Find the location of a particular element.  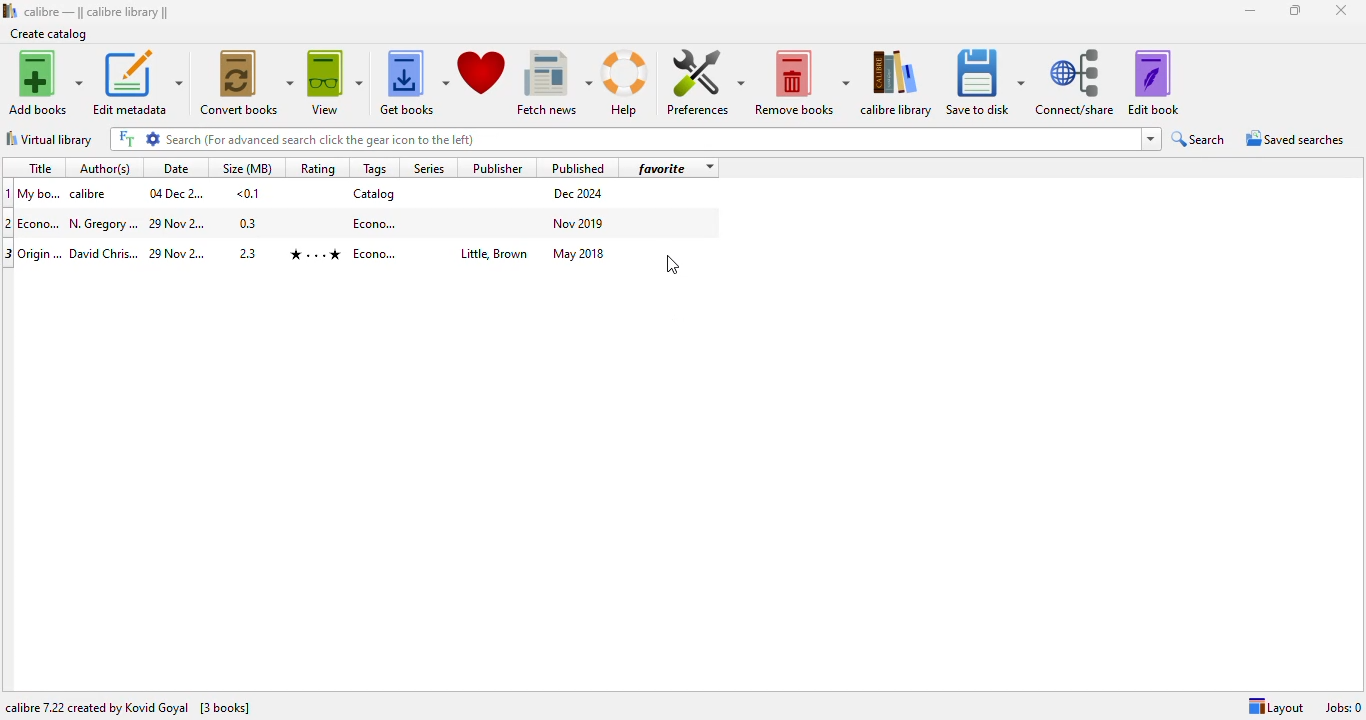

publish date is located at coordinates (580, 253).